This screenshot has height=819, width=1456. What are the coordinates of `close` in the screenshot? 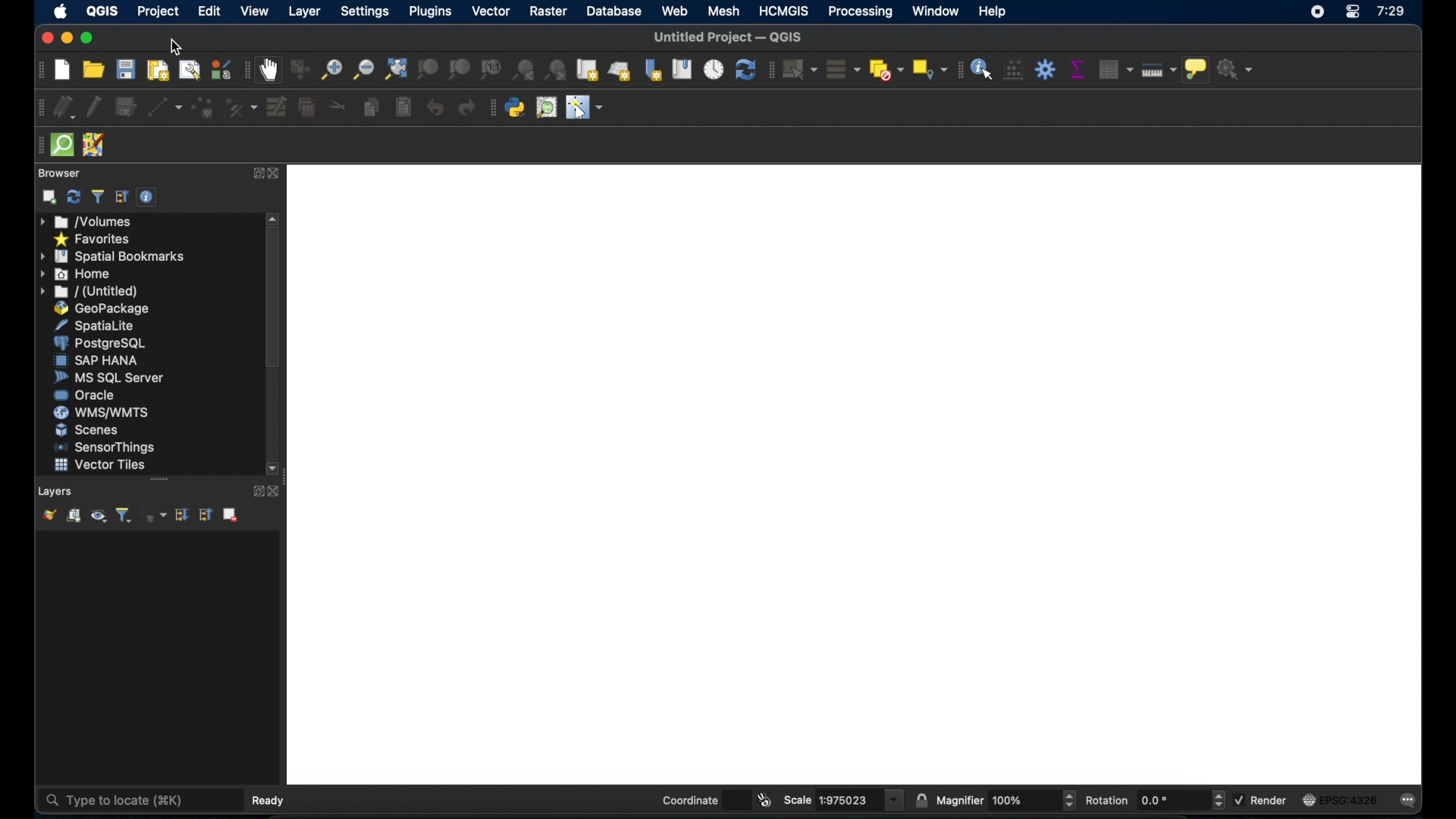 It's located at (276, 174).